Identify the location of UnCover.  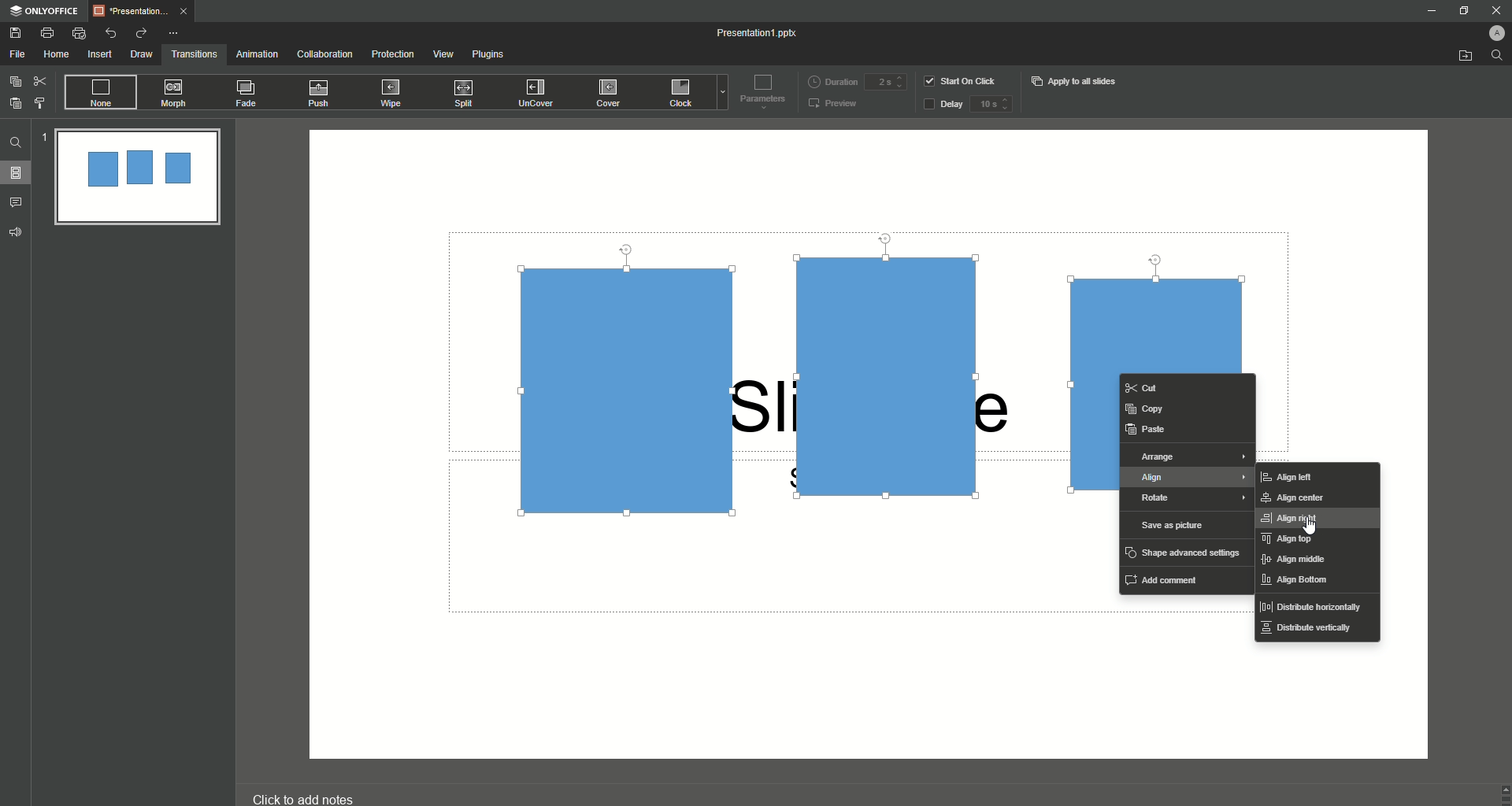
(541, 94).